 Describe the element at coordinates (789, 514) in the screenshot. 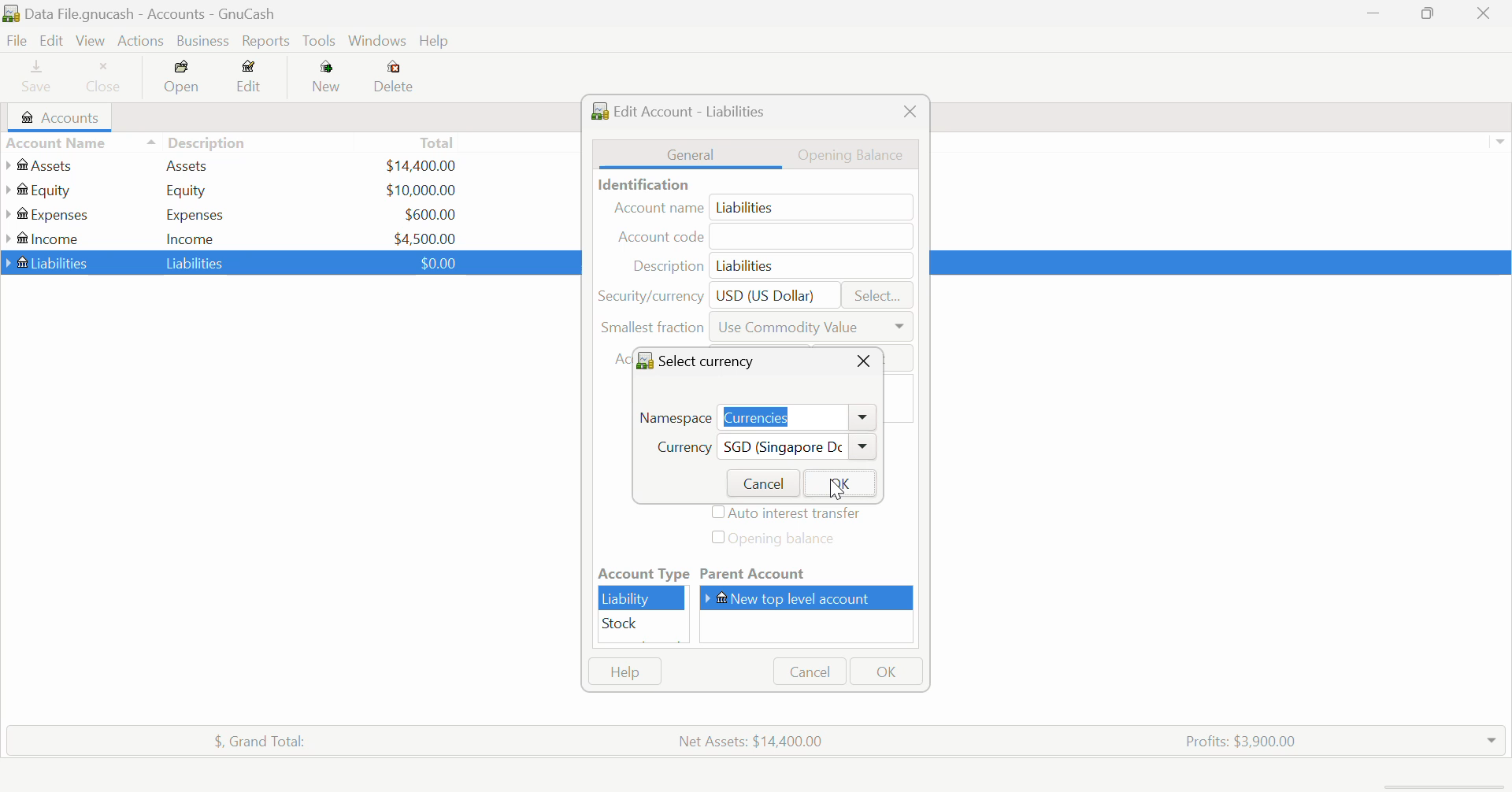

I see `Auto interest transfer` at that location.